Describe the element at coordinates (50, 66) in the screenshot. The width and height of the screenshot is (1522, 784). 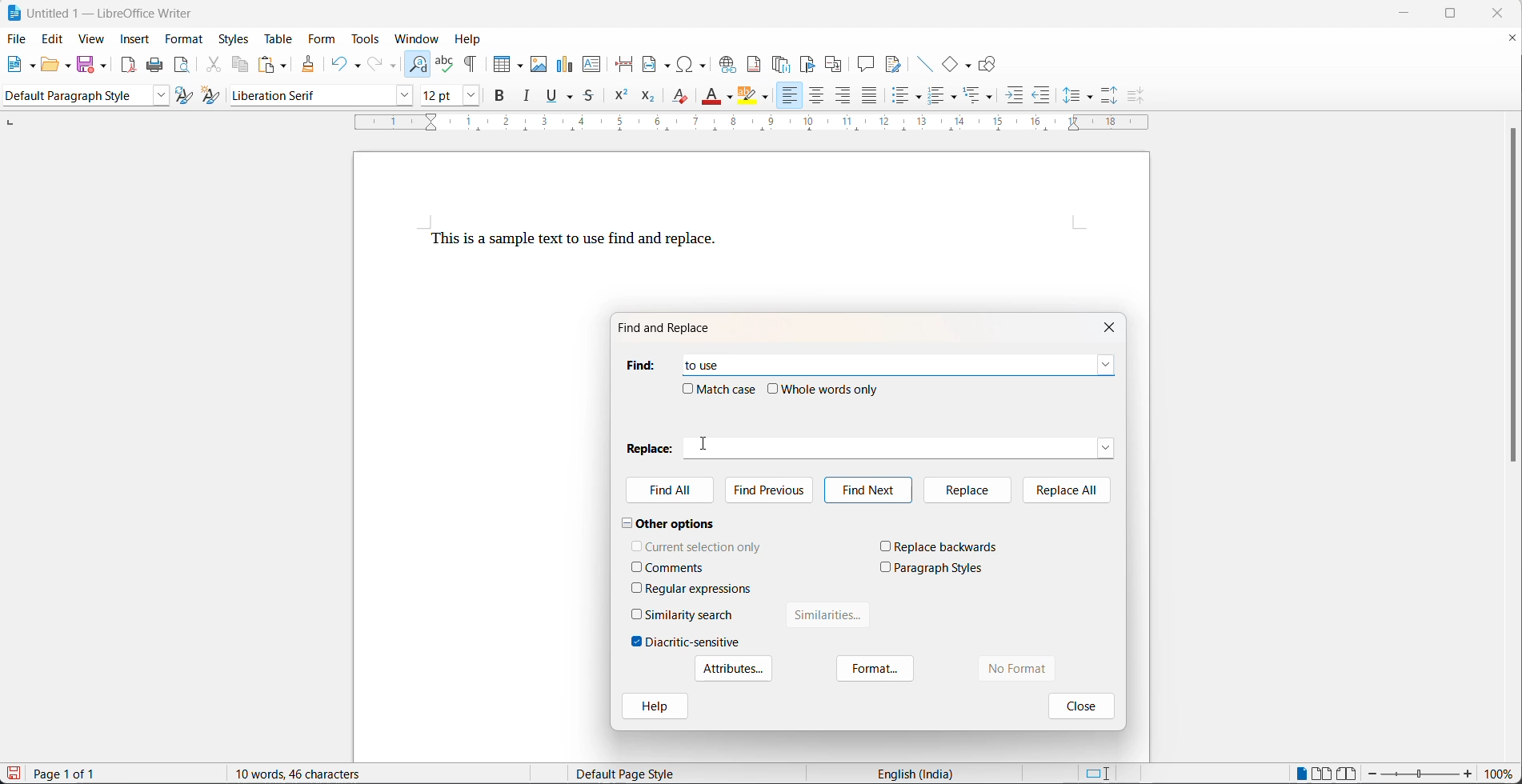
I see `open` at that location.